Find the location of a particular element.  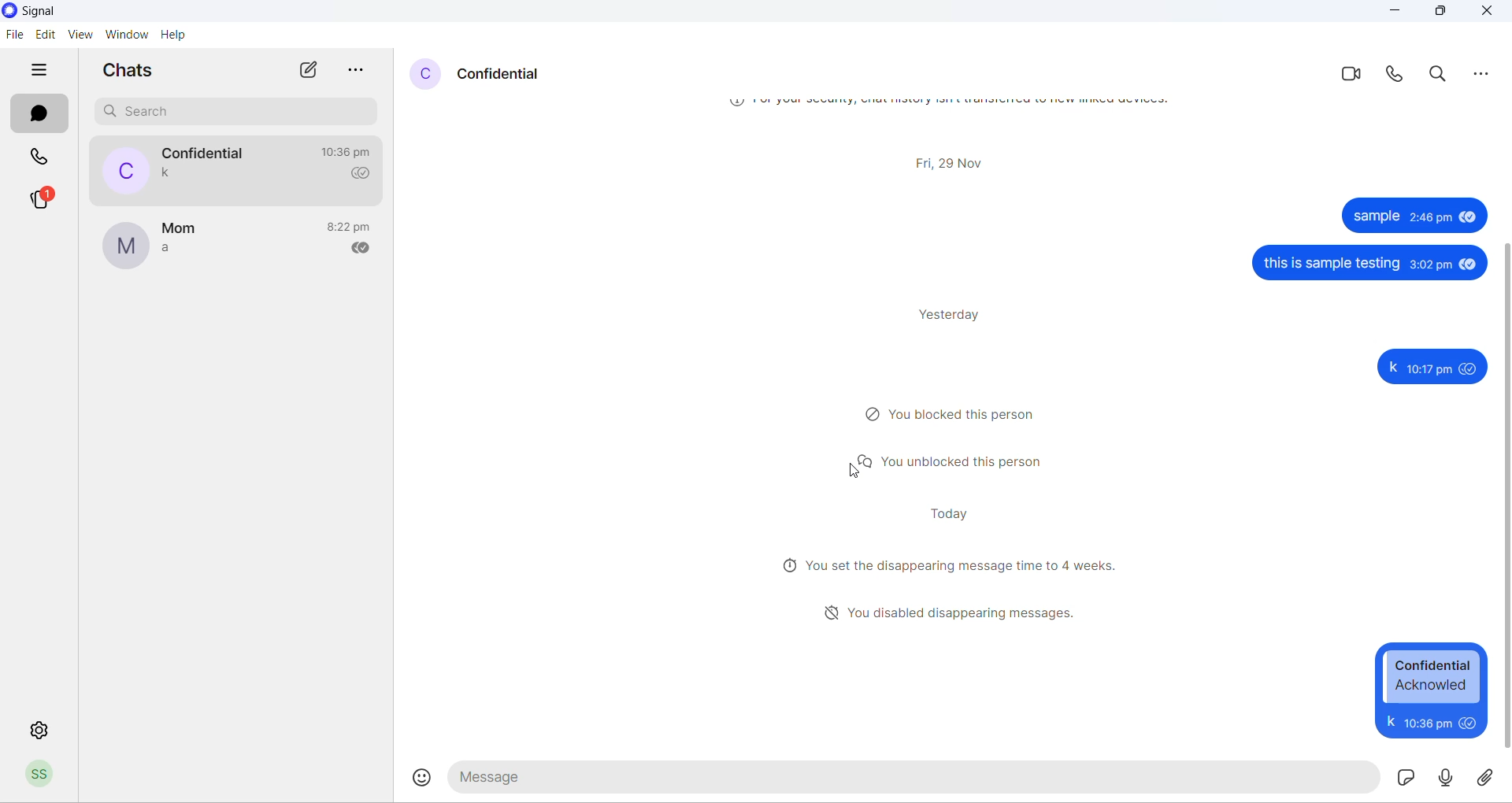

search in messages is located at coordinates (1440, 73).